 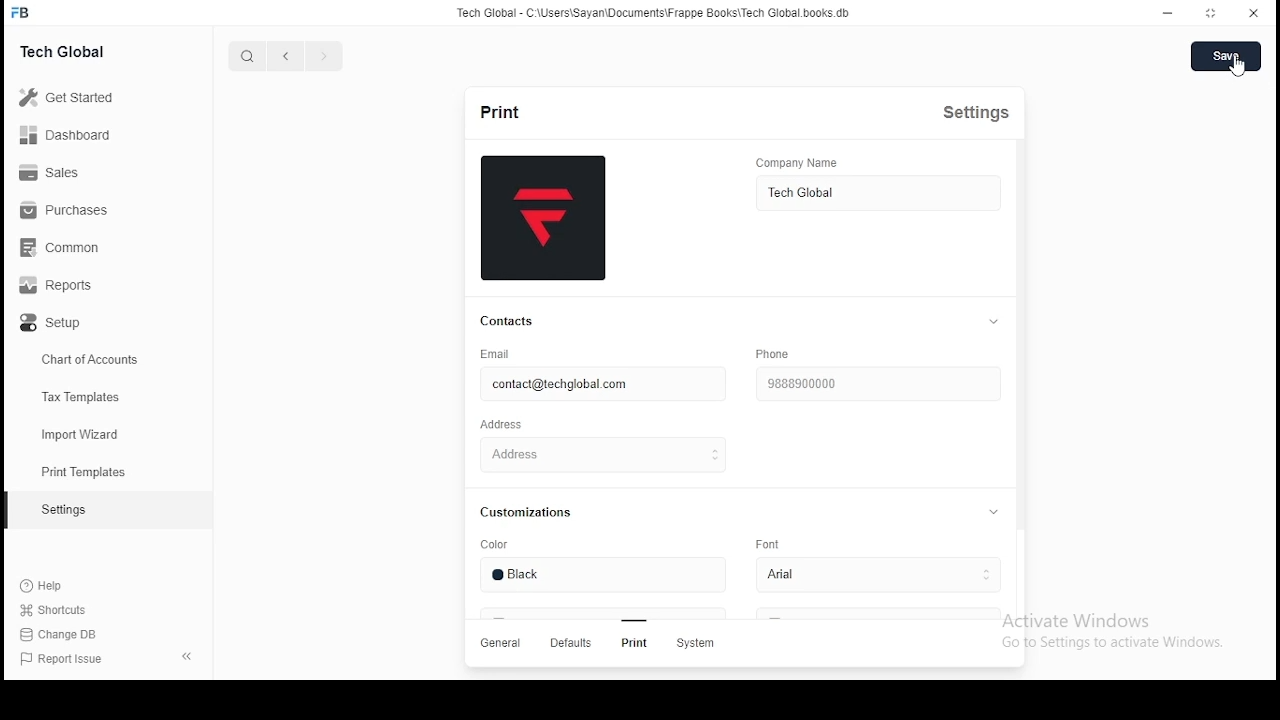 What do you see at coordinates (569, 645) in the screenshot?
I see `Defaults ` at bounding box center [569, 645].